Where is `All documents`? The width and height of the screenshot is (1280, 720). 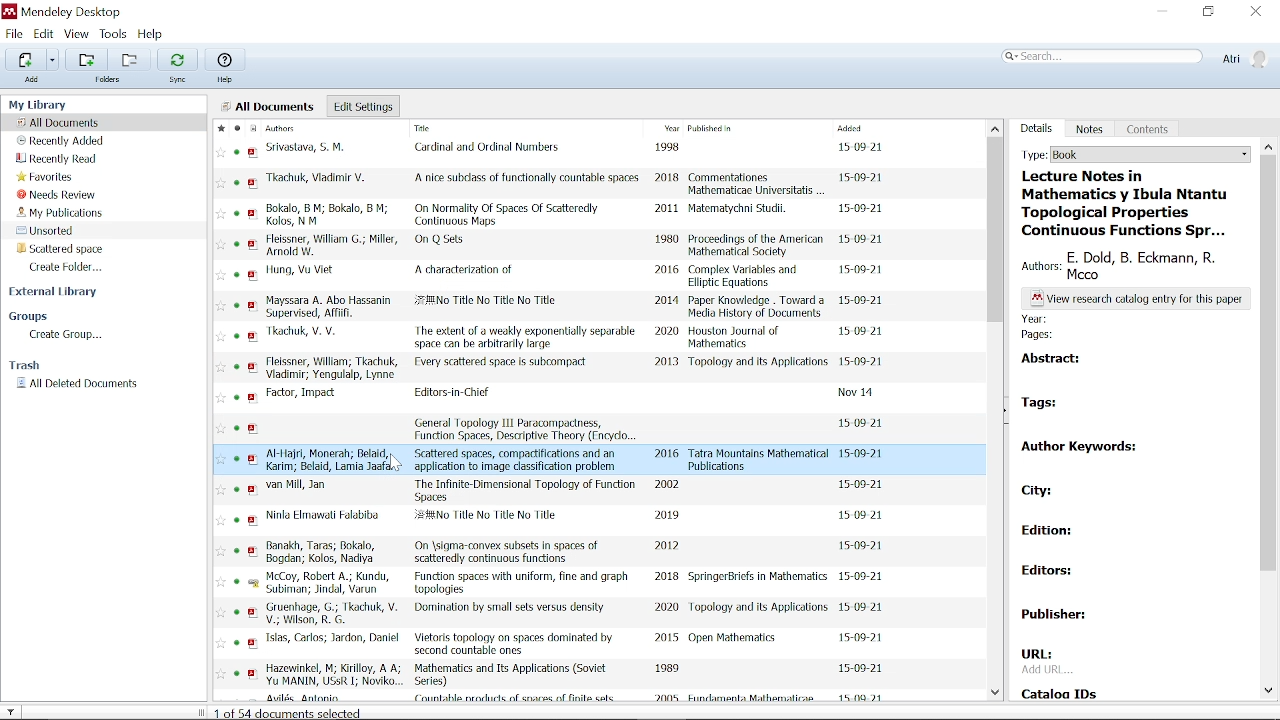
All documents is located at coordinates (60, 122).